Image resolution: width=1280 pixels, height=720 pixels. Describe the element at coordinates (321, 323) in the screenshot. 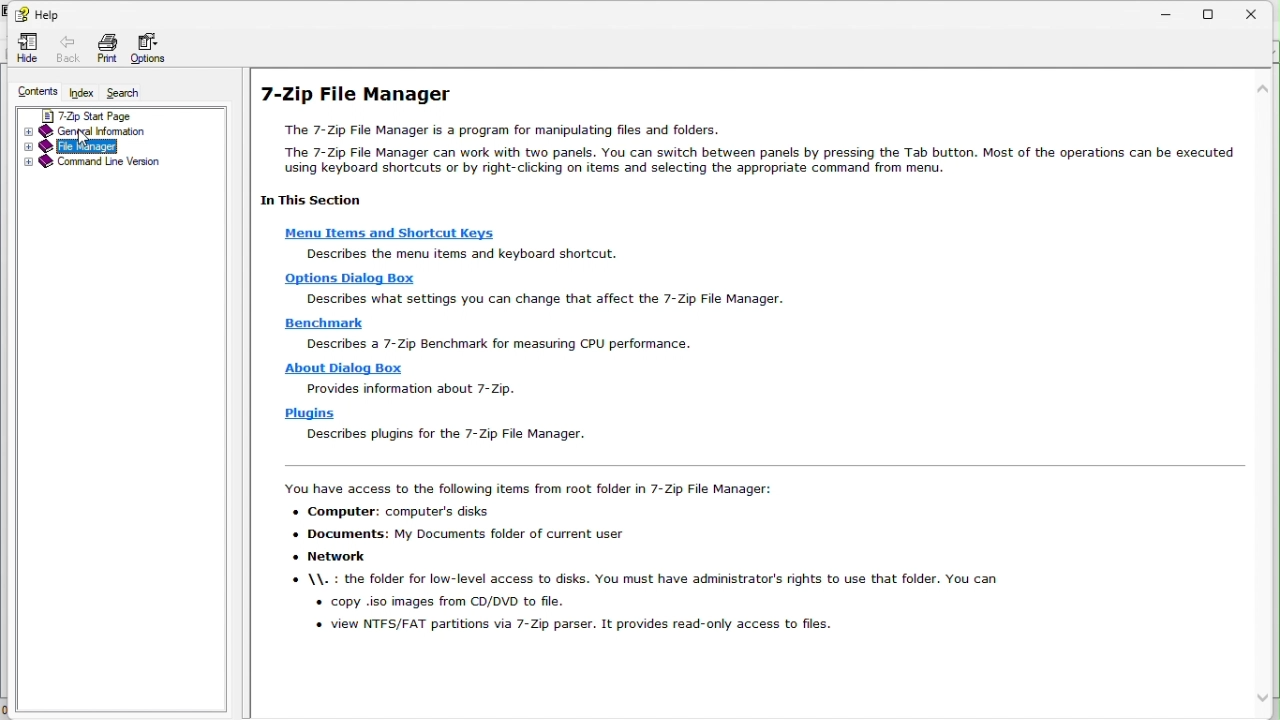

I see `benchmark` at that location.